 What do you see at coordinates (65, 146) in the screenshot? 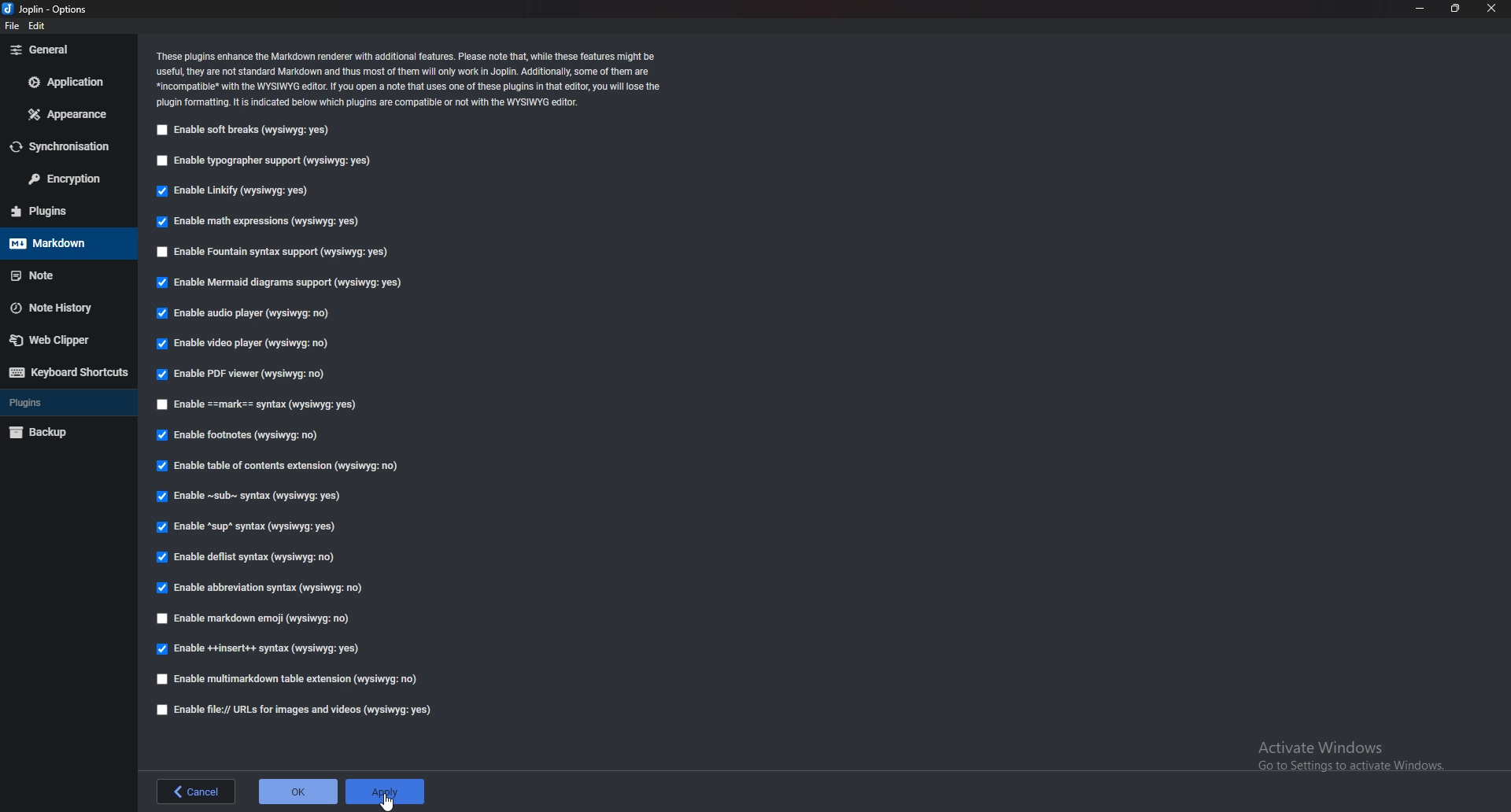
I see `sync` at bounding box center [65, 146].